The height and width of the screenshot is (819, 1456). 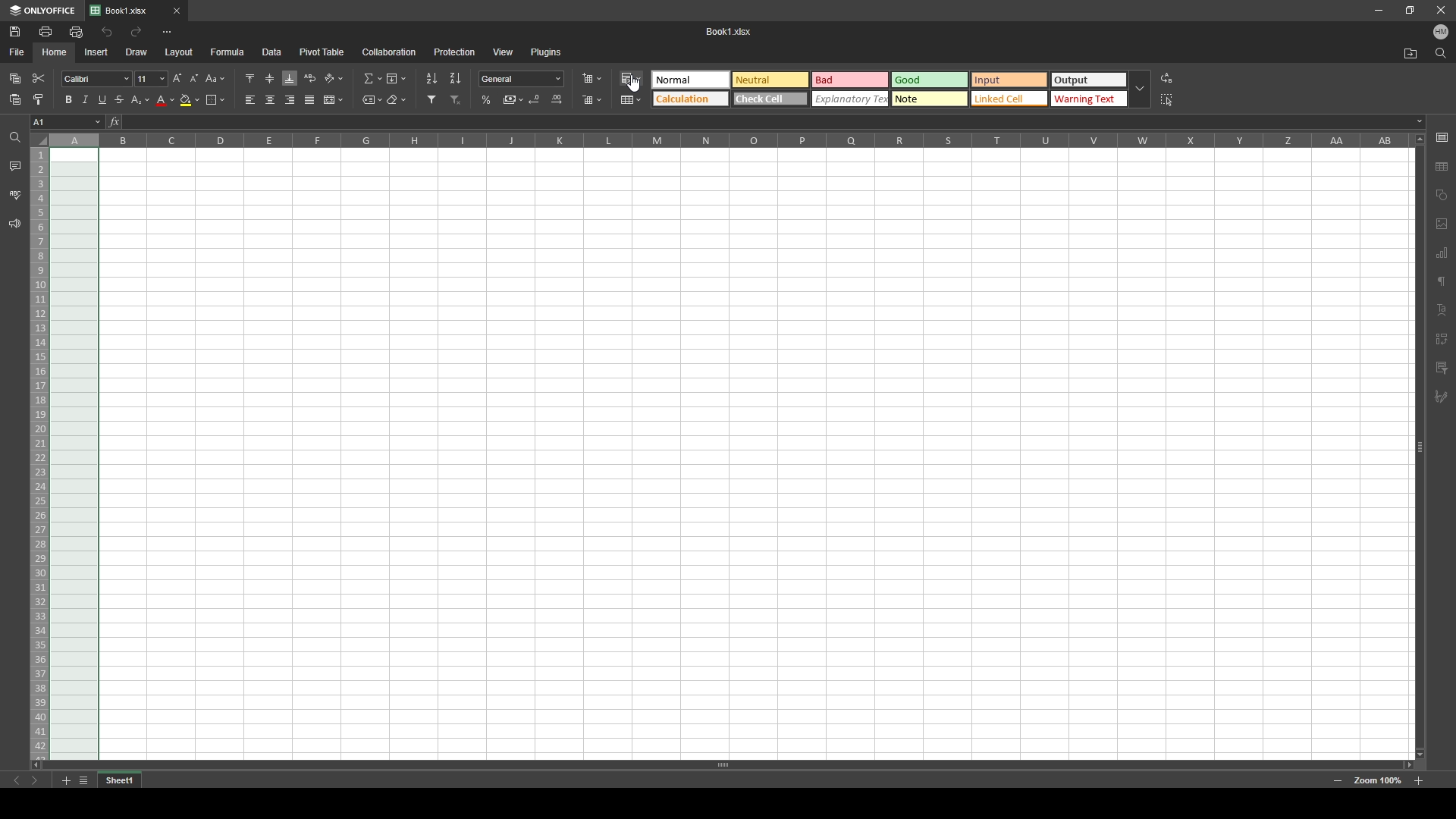 I want to click on copy, so click(x=15, y=78).